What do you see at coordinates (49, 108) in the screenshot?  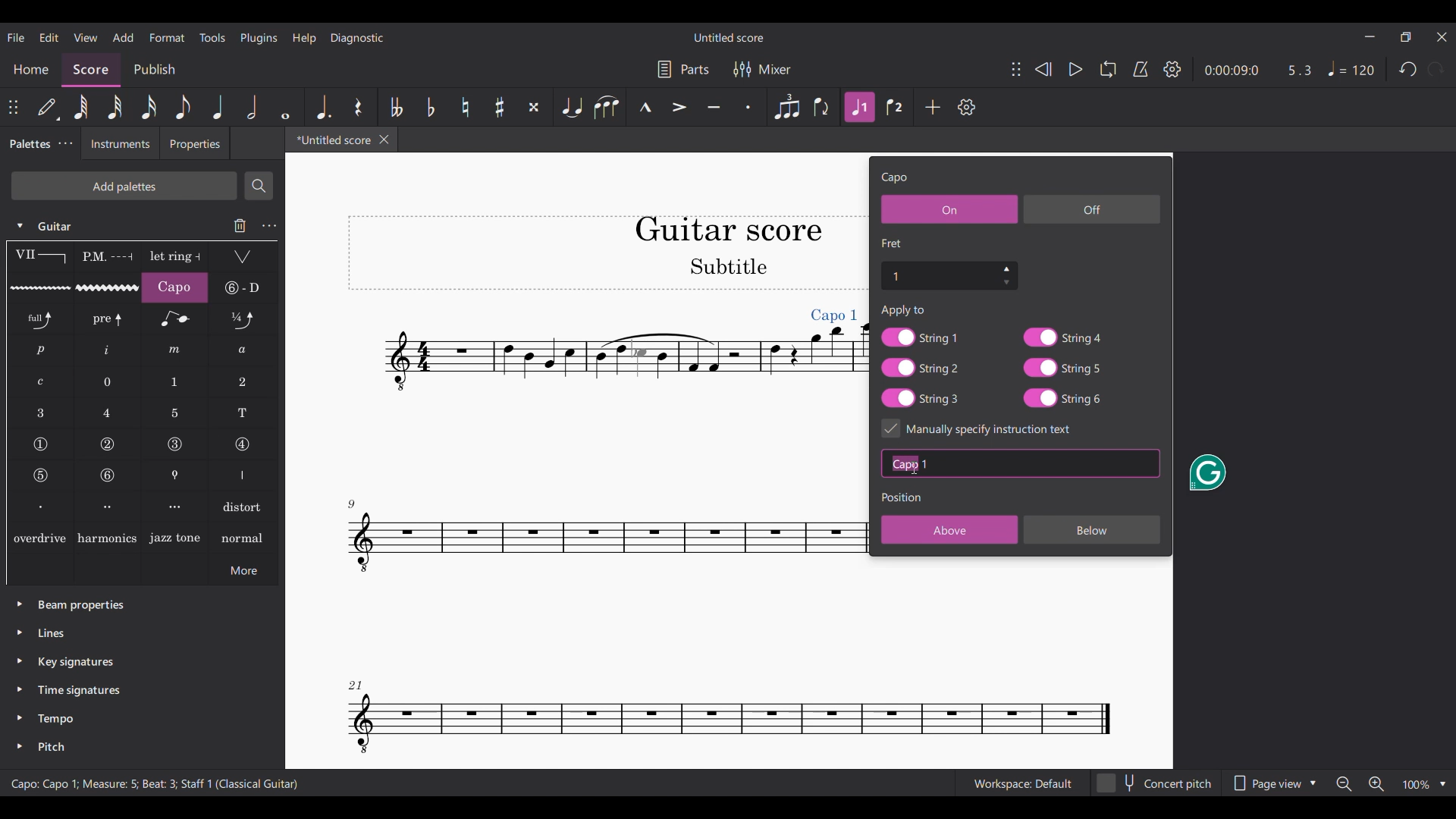 I see `Default` at bounding box center [49, 108].